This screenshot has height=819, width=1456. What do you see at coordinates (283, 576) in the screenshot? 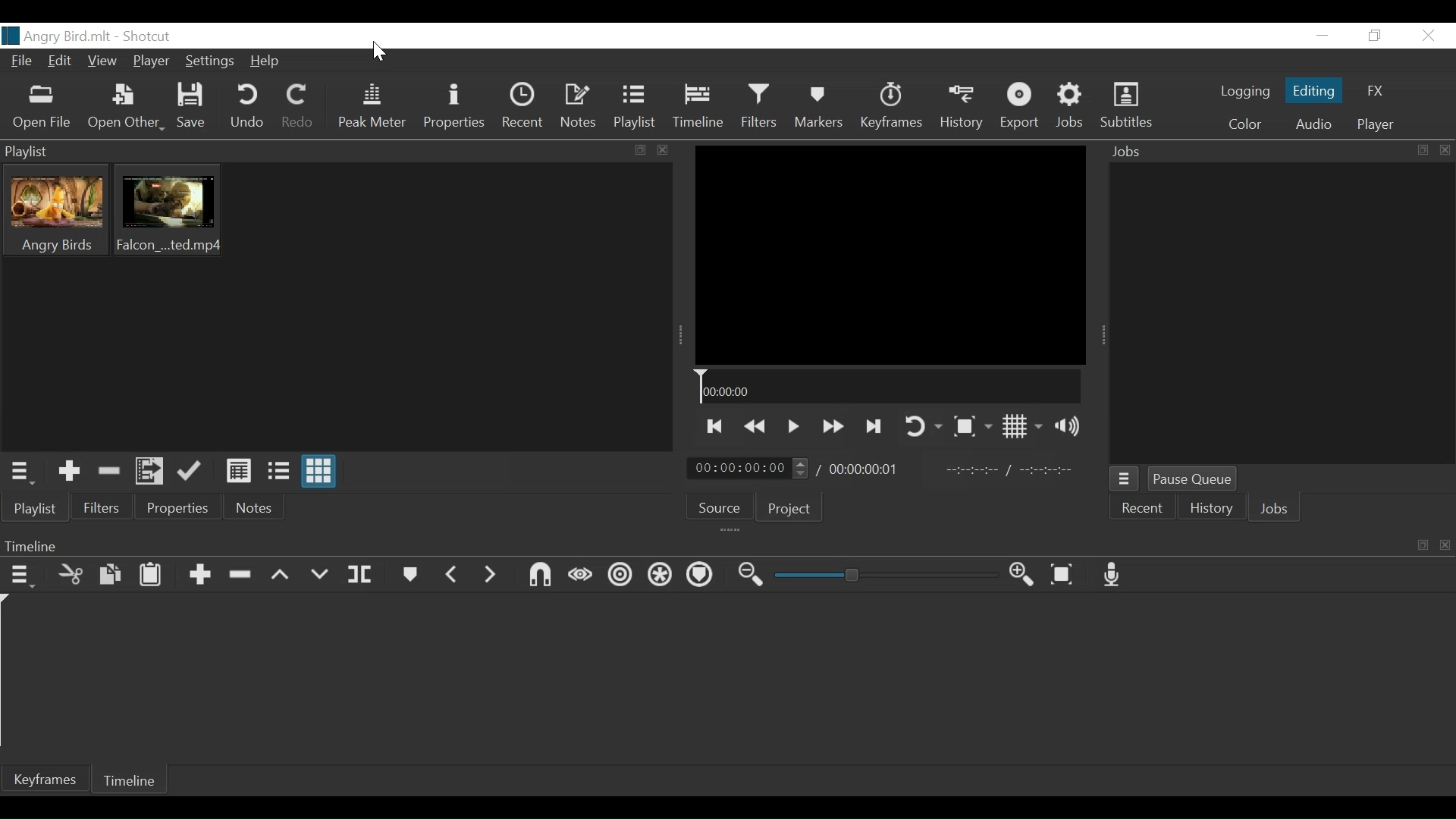
I see `Lift` at bounding box center [283, 576].